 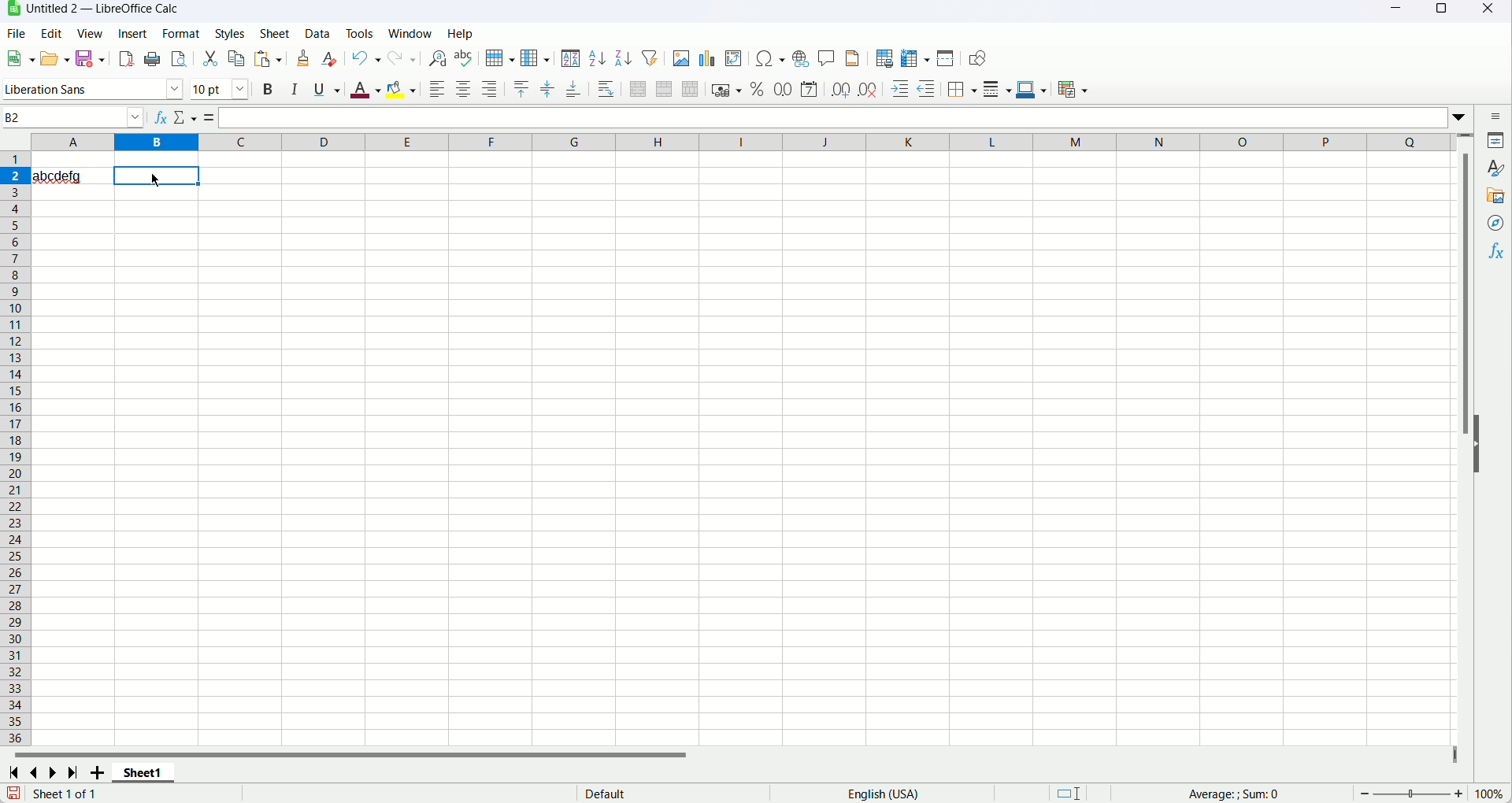 What do you see at coordinates (203, 117) in the screenshot?
I see `accept` at bounding box center [203, 117].